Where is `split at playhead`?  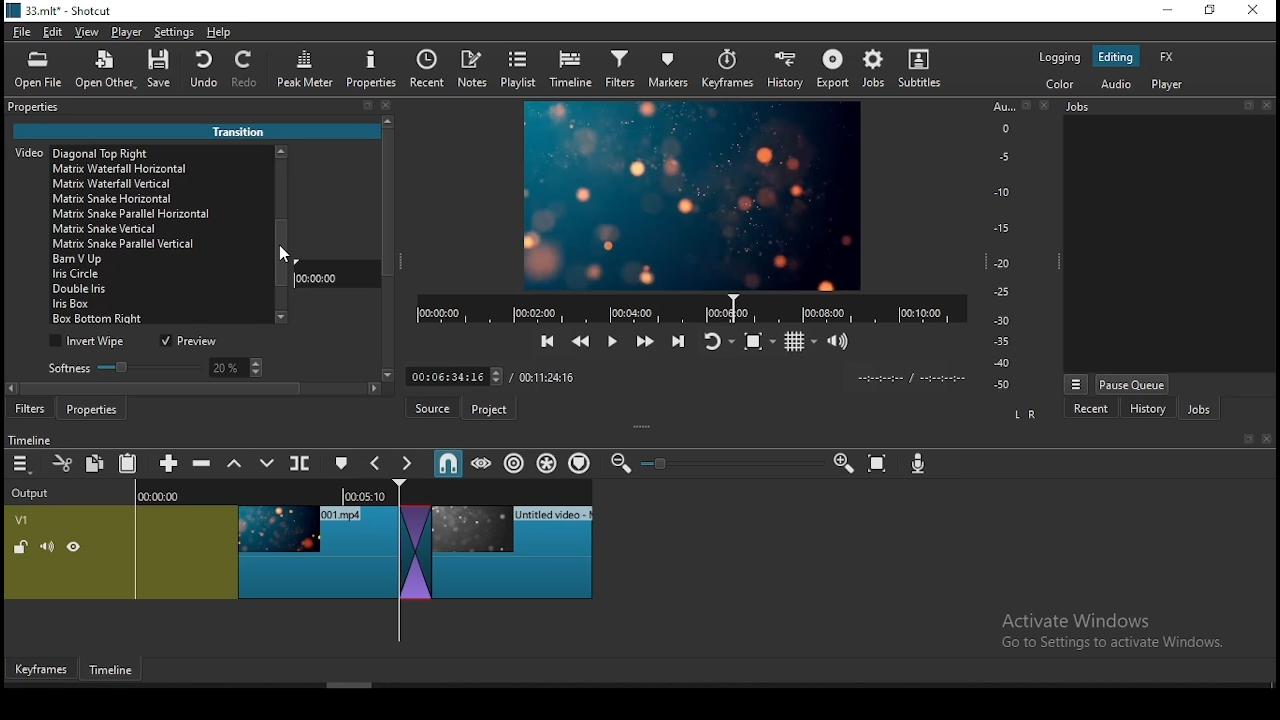
split at playhead is located at coordinates (302, 465).